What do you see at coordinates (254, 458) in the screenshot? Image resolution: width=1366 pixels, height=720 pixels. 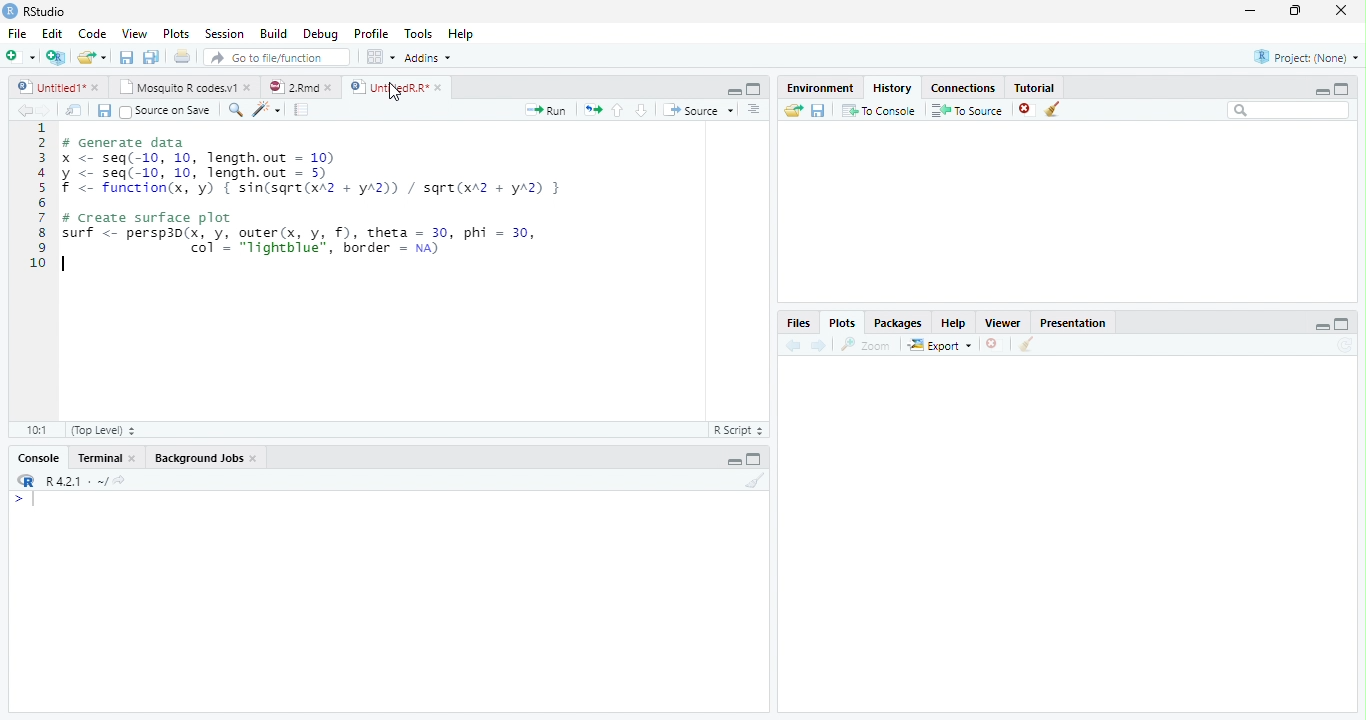 I see `Close` at bounding box center [254, 458].